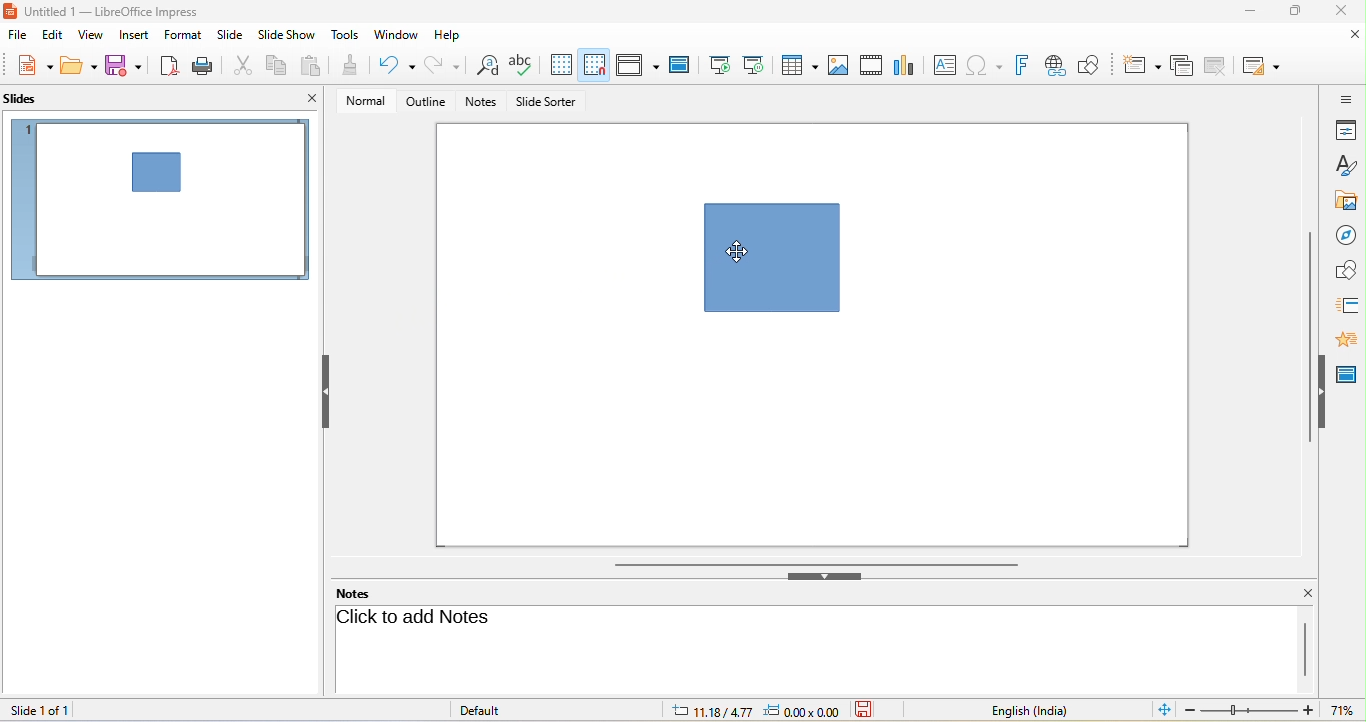  Describe the element at coordinates (418, 617) in the screenshot. I see `click to add notes` at that location.